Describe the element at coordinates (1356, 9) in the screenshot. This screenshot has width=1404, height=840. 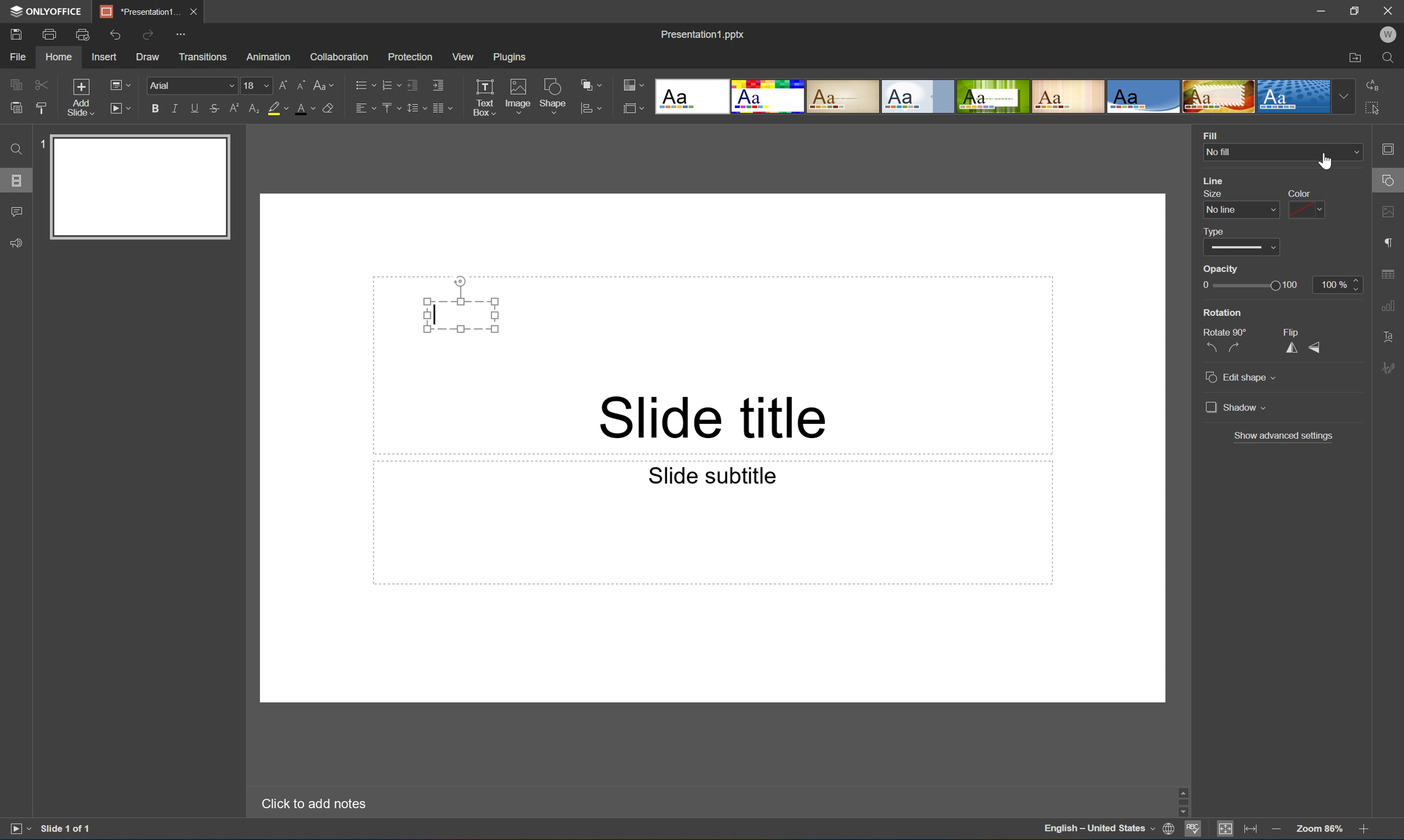
I see `Restore Down` at that location.